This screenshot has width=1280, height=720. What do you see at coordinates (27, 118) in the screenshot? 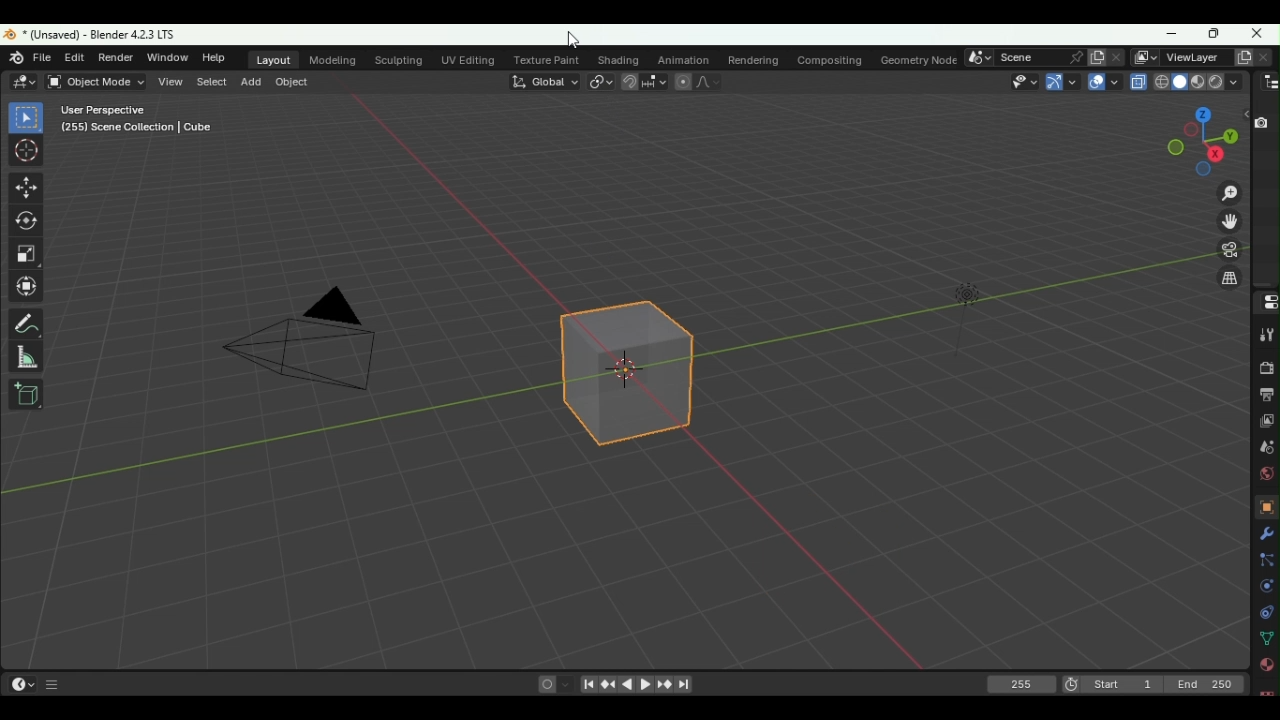
I see `Select box` at bounding box center [27, 118].